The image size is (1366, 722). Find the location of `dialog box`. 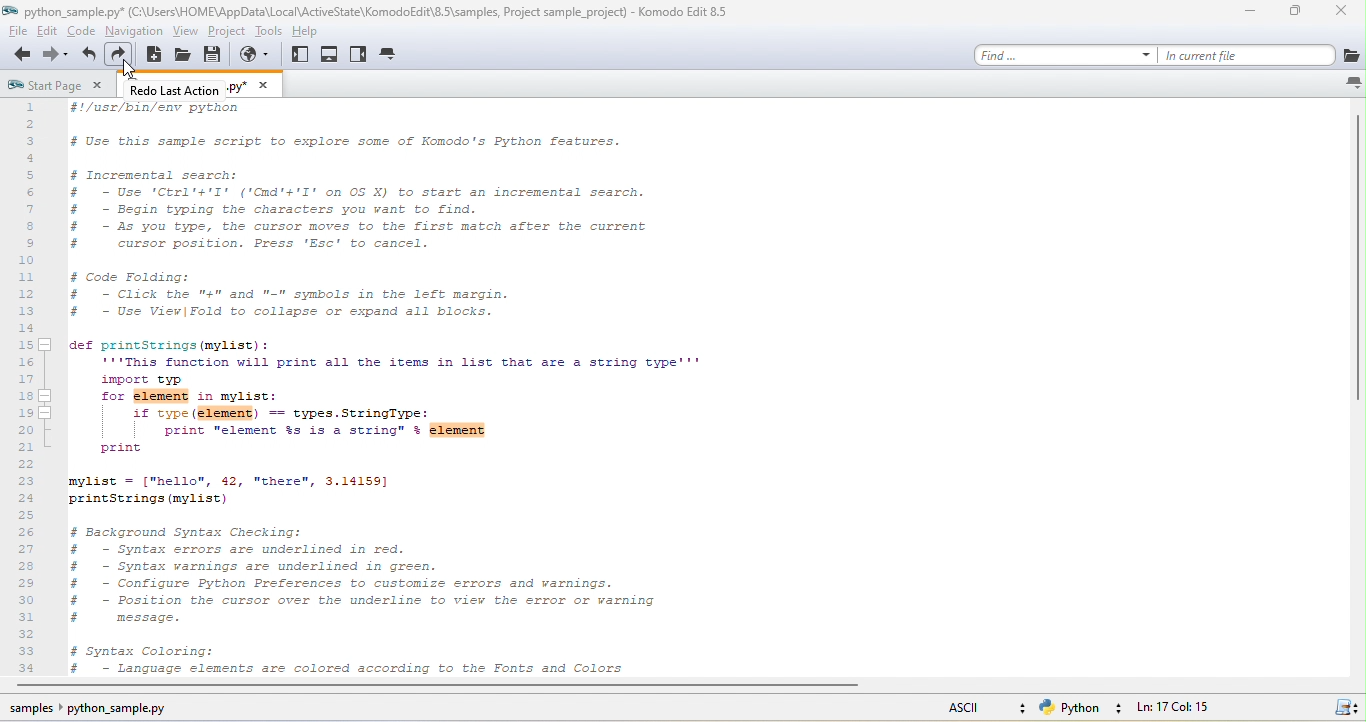

dialog box is located at coordinates (207, 88).